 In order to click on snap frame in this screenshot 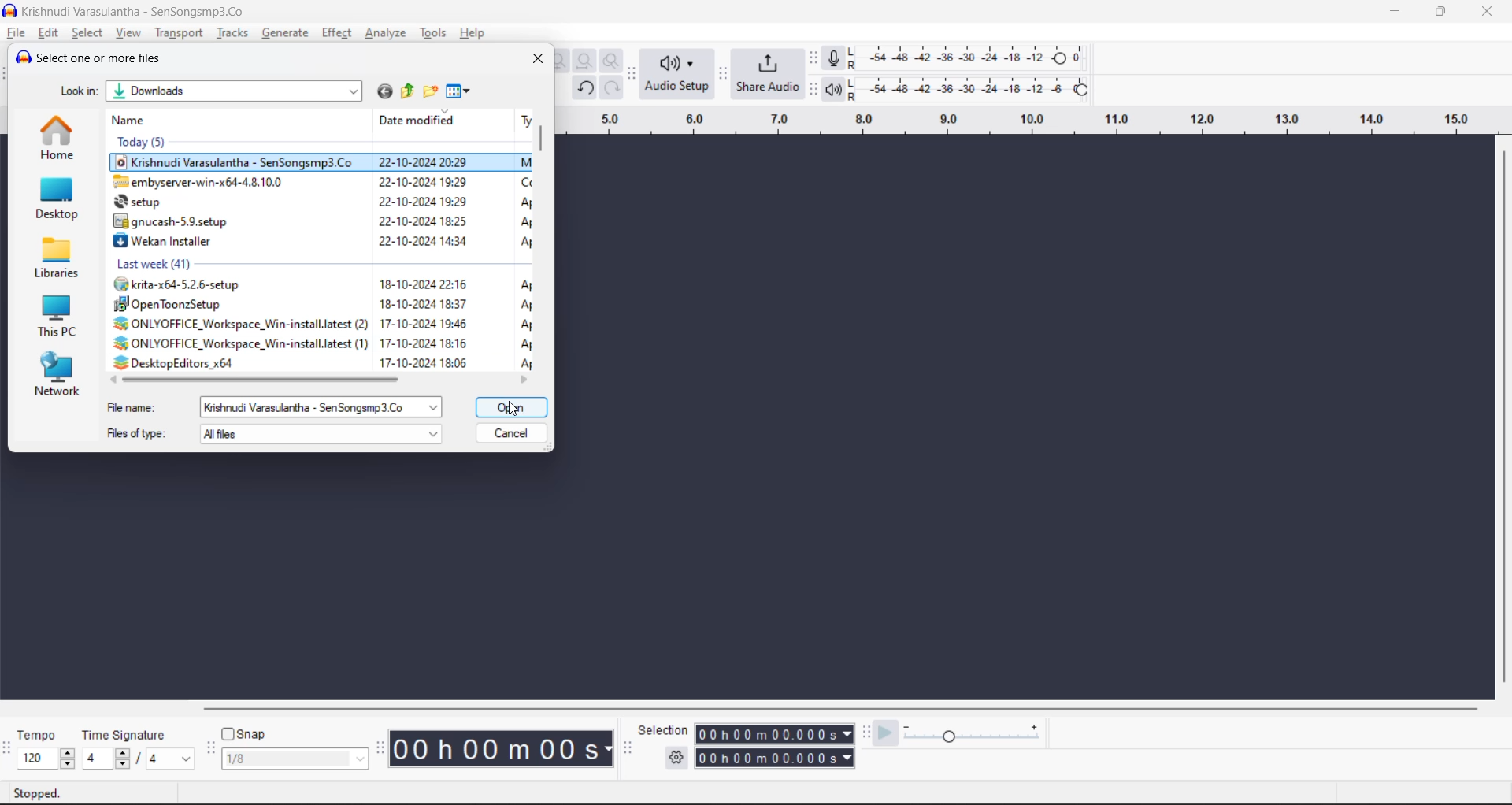, I will do `click(295, 759)`.